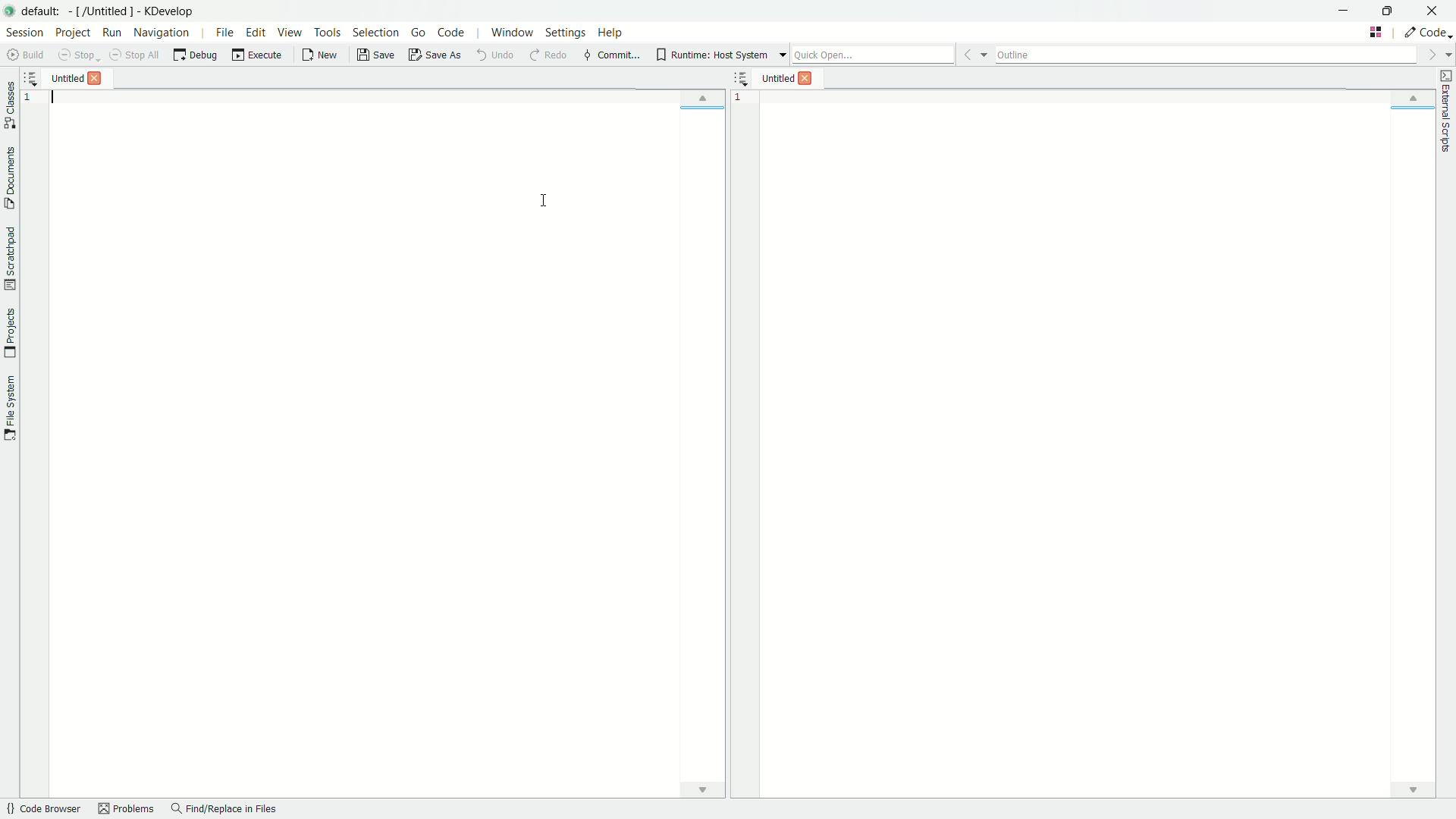 The width and height of the screenshot is (1456, 819). Describe the element at coordinates (435, 54) in the screenshot. I see `save as` at that location.